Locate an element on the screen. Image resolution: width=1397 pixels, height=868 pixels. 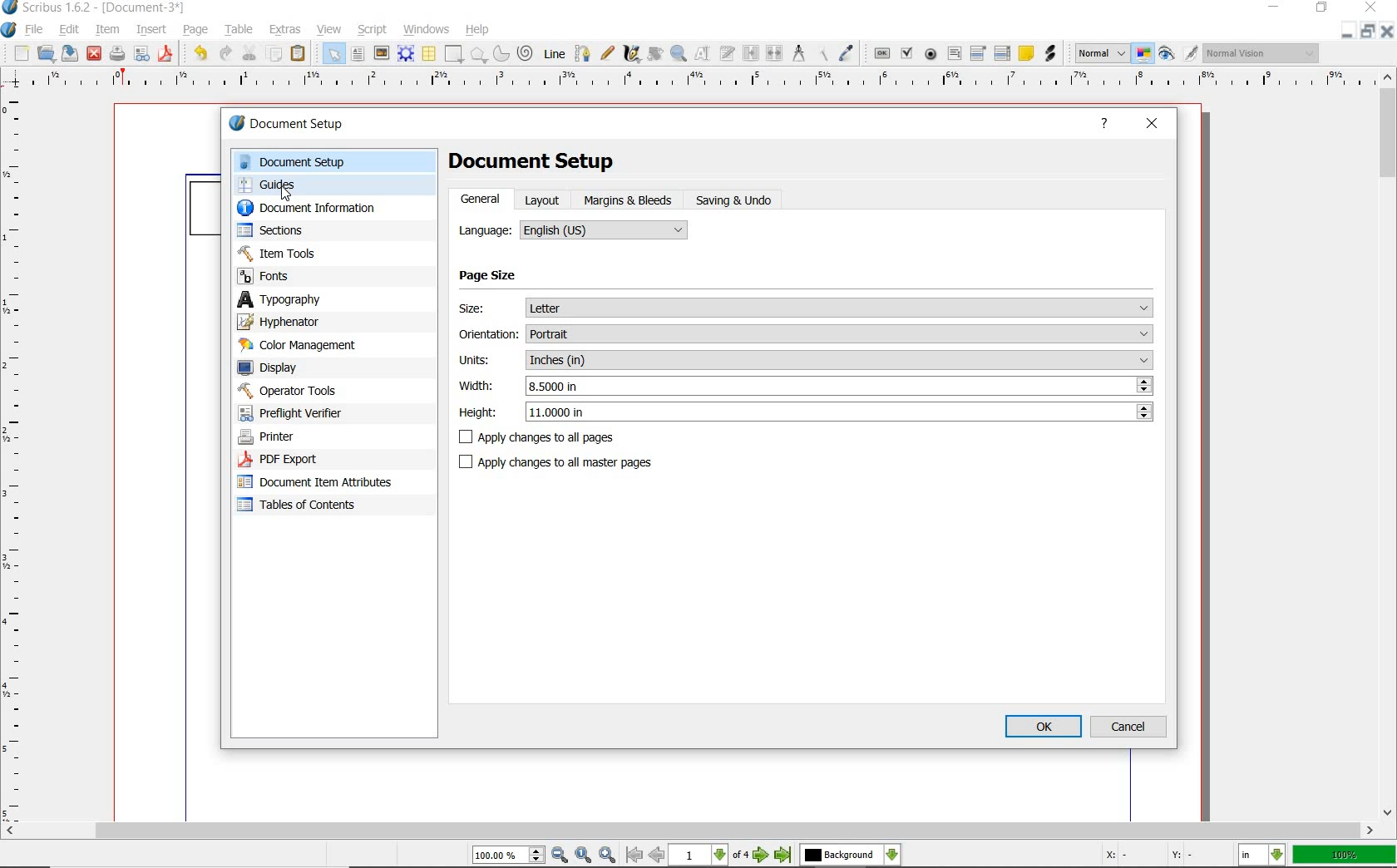
zoom out is located at coordinates (560, 856).